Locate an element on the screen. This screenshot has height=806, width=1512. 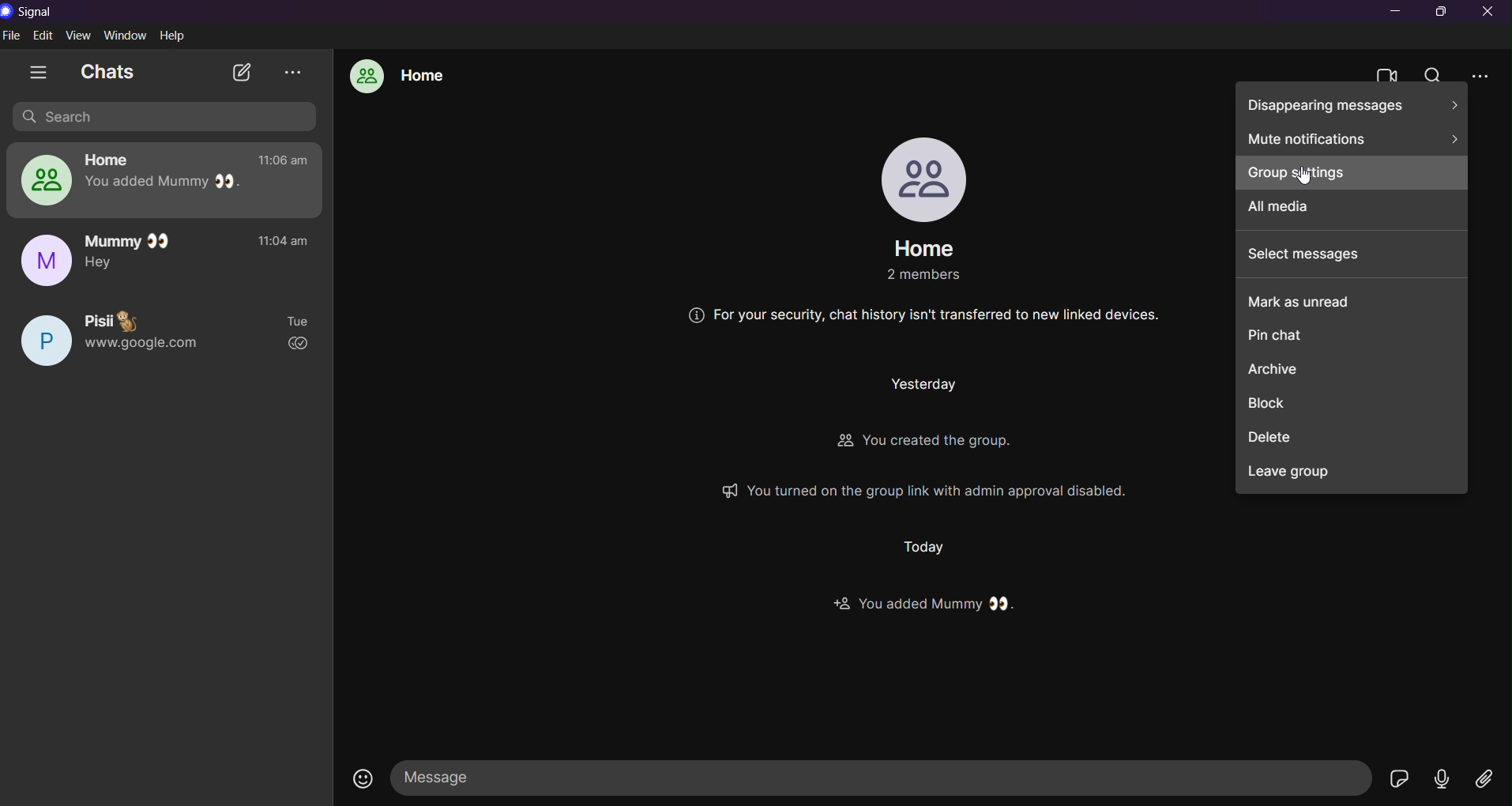
mummy chat is located at coordinates (171, 258).